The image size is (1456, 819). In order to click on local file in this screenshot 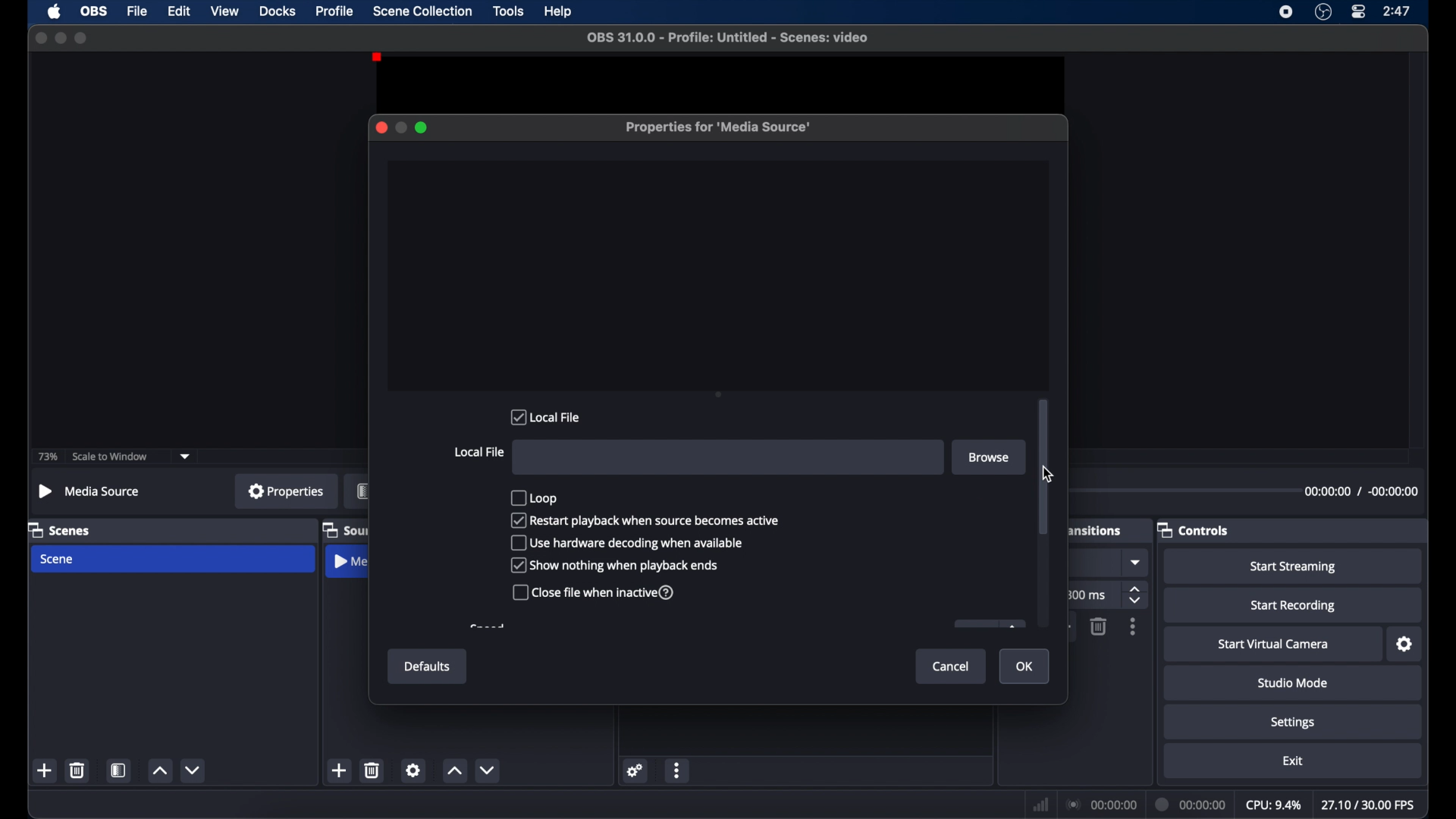, I will do `click(478, 453)`.